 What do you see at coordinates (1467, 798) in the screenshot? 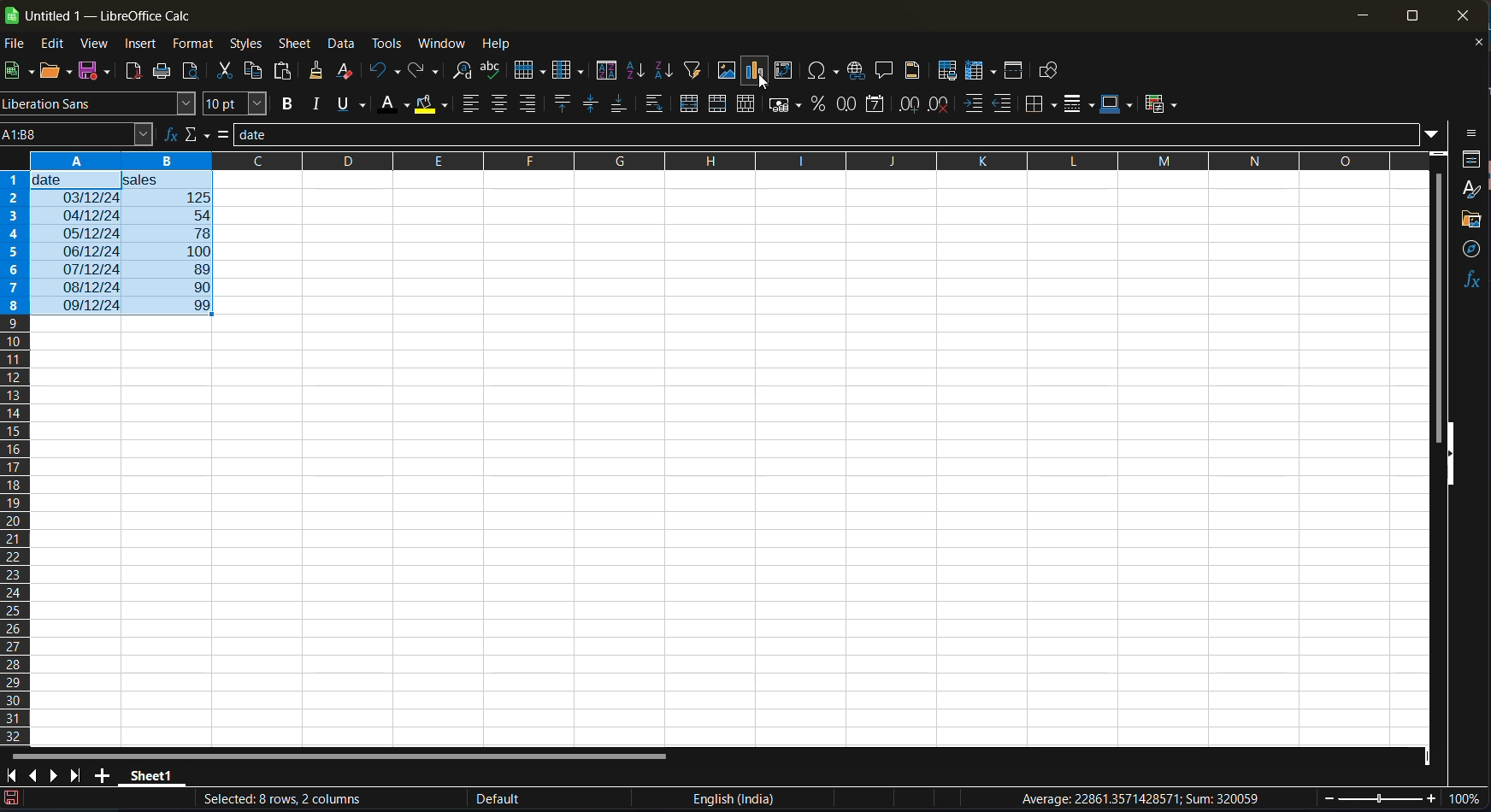
I see `zoom factor` at bounding box center [1467, 798].